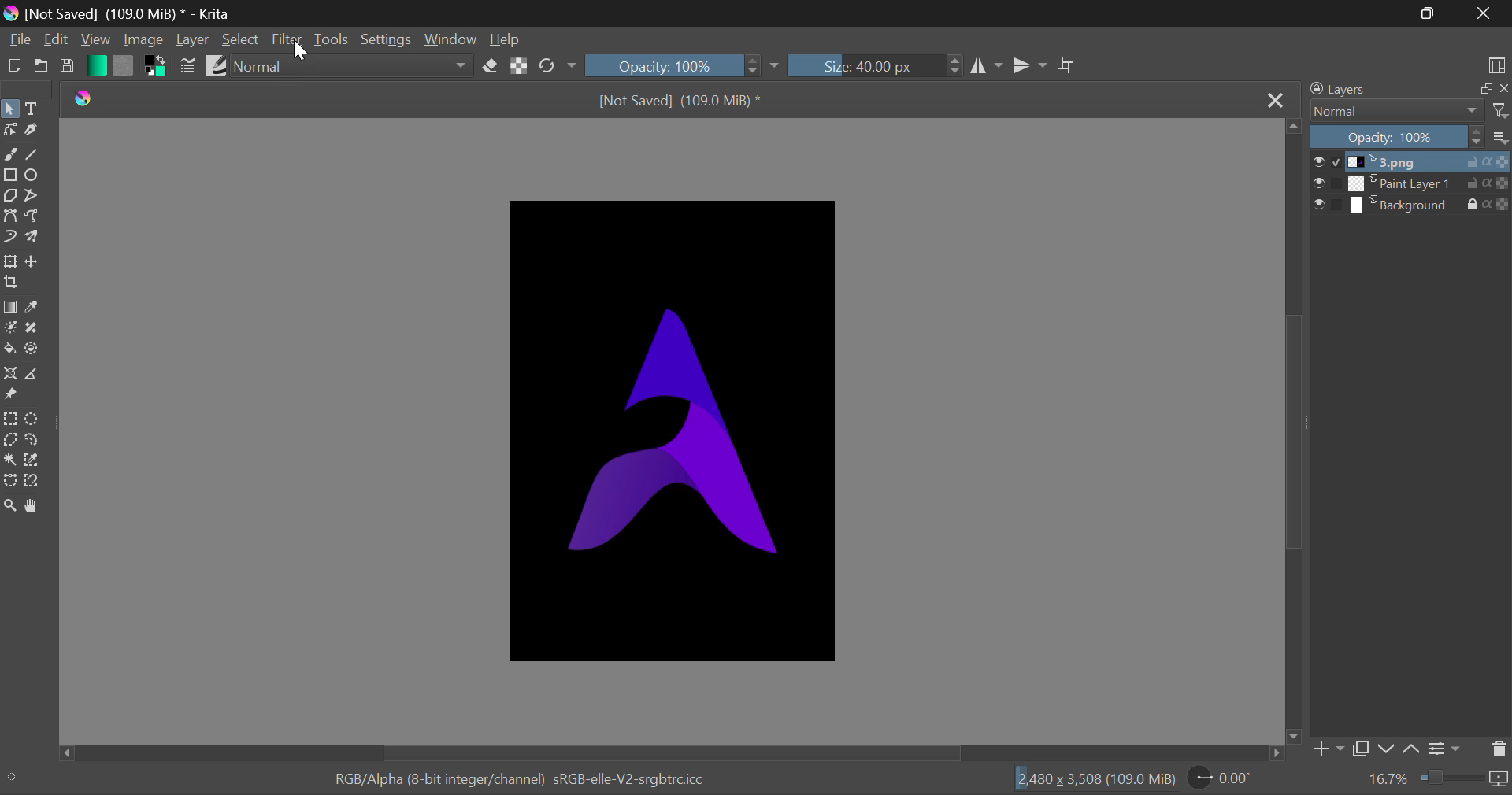  I want to click on Copy Layer, so click(1361, 749).